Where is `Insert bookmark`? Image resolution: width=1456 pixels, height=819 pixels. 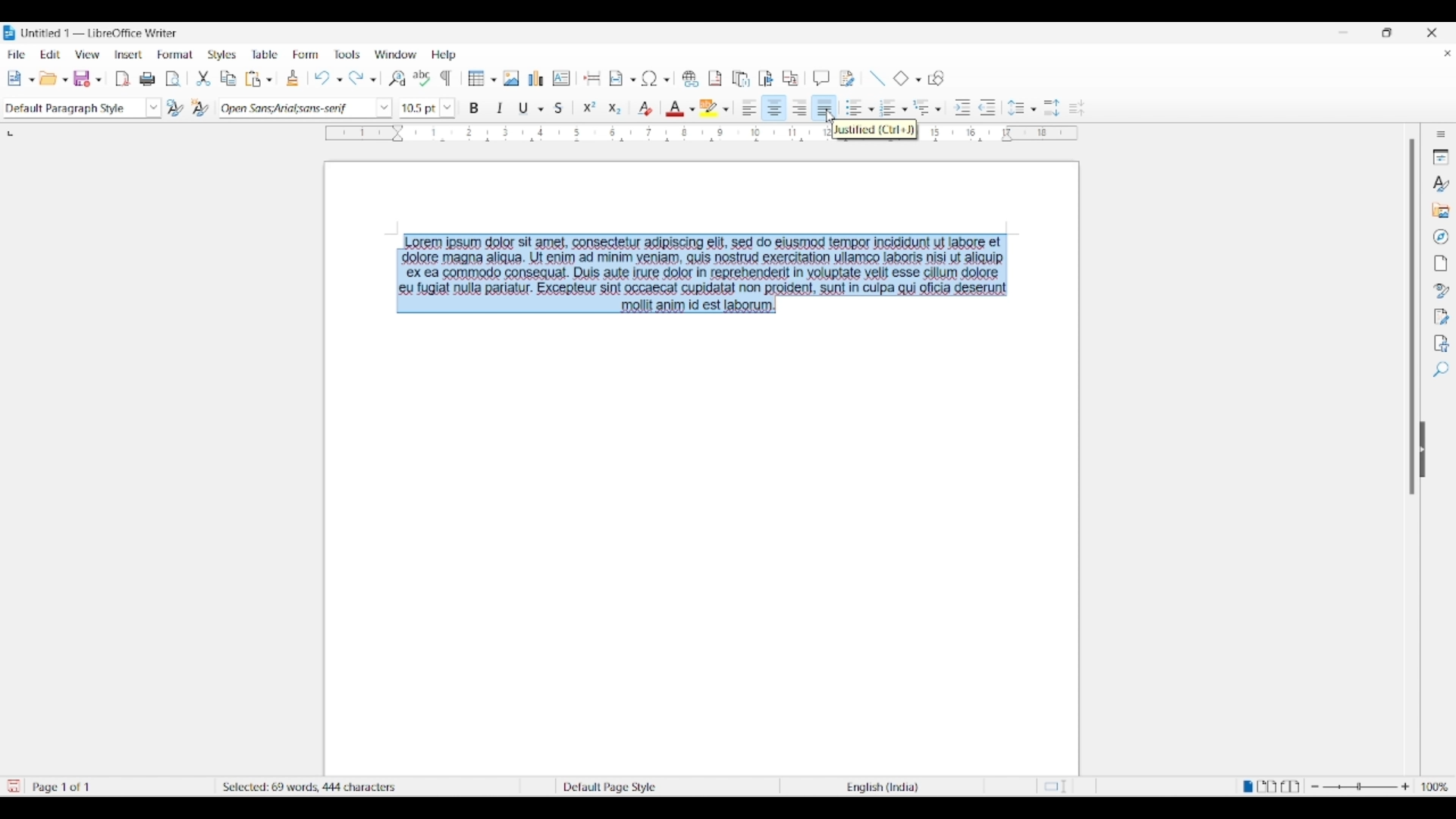 Insert bookmark is located at coordinates (766, 78).